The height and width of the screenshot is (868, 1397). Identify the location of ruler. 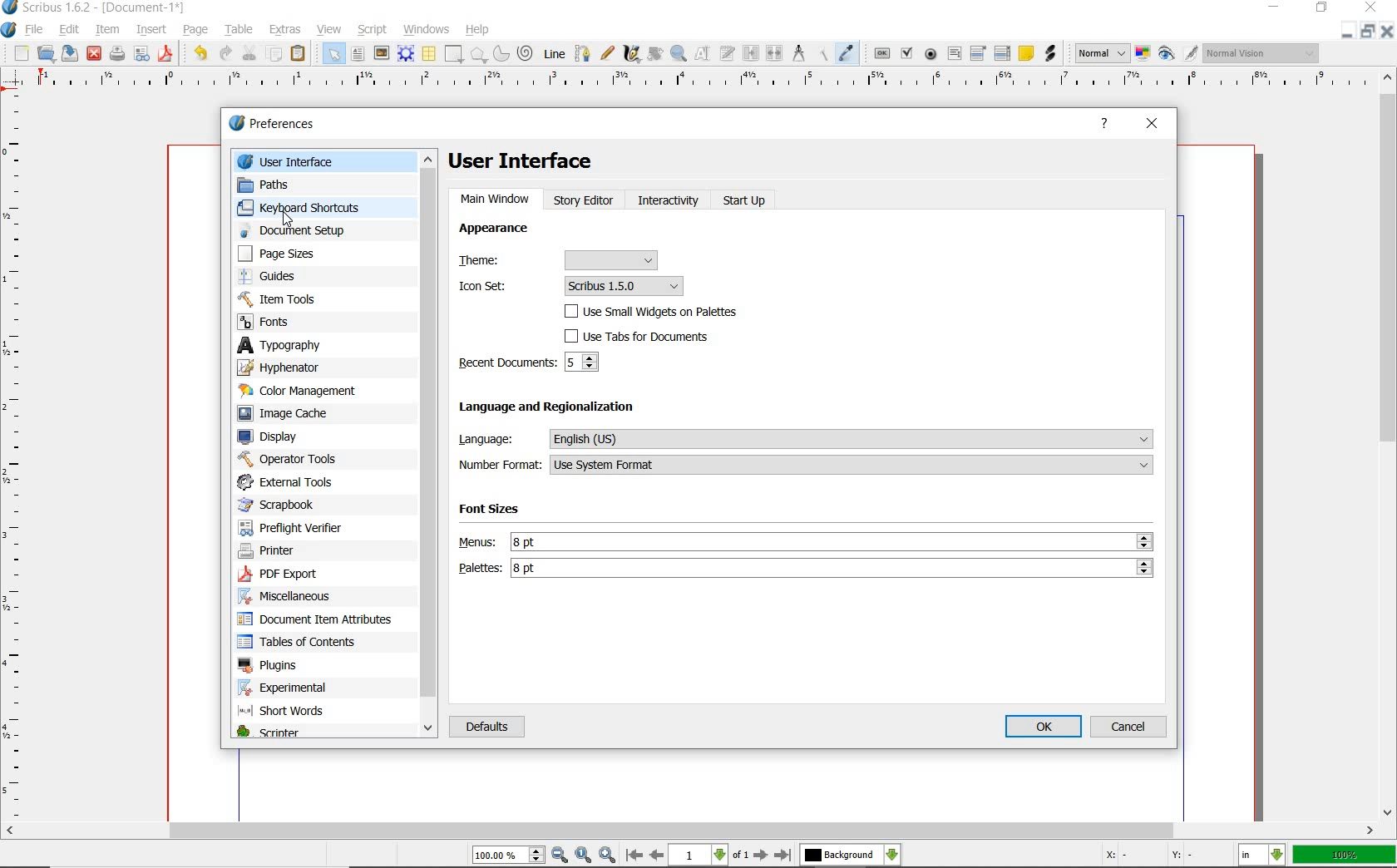
(699, 84).